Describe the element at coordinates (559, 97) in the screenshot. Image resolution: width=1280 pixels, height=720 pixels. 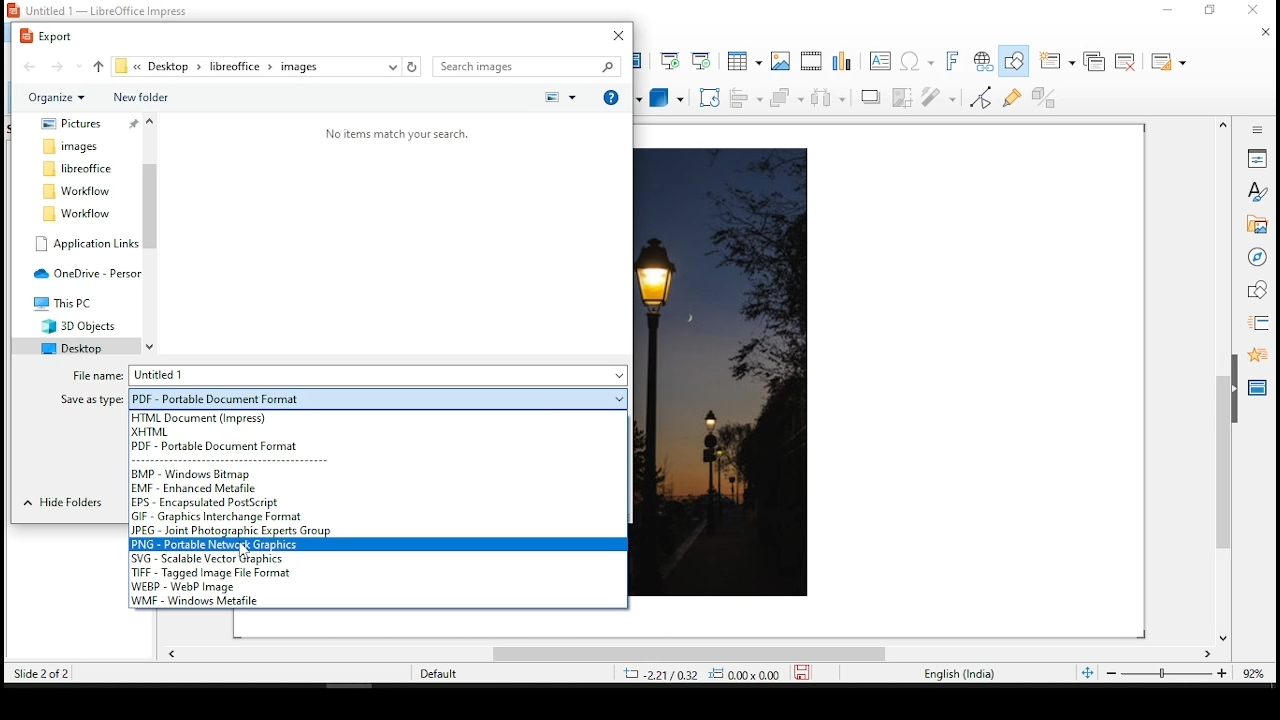
I see `preview` at that location.